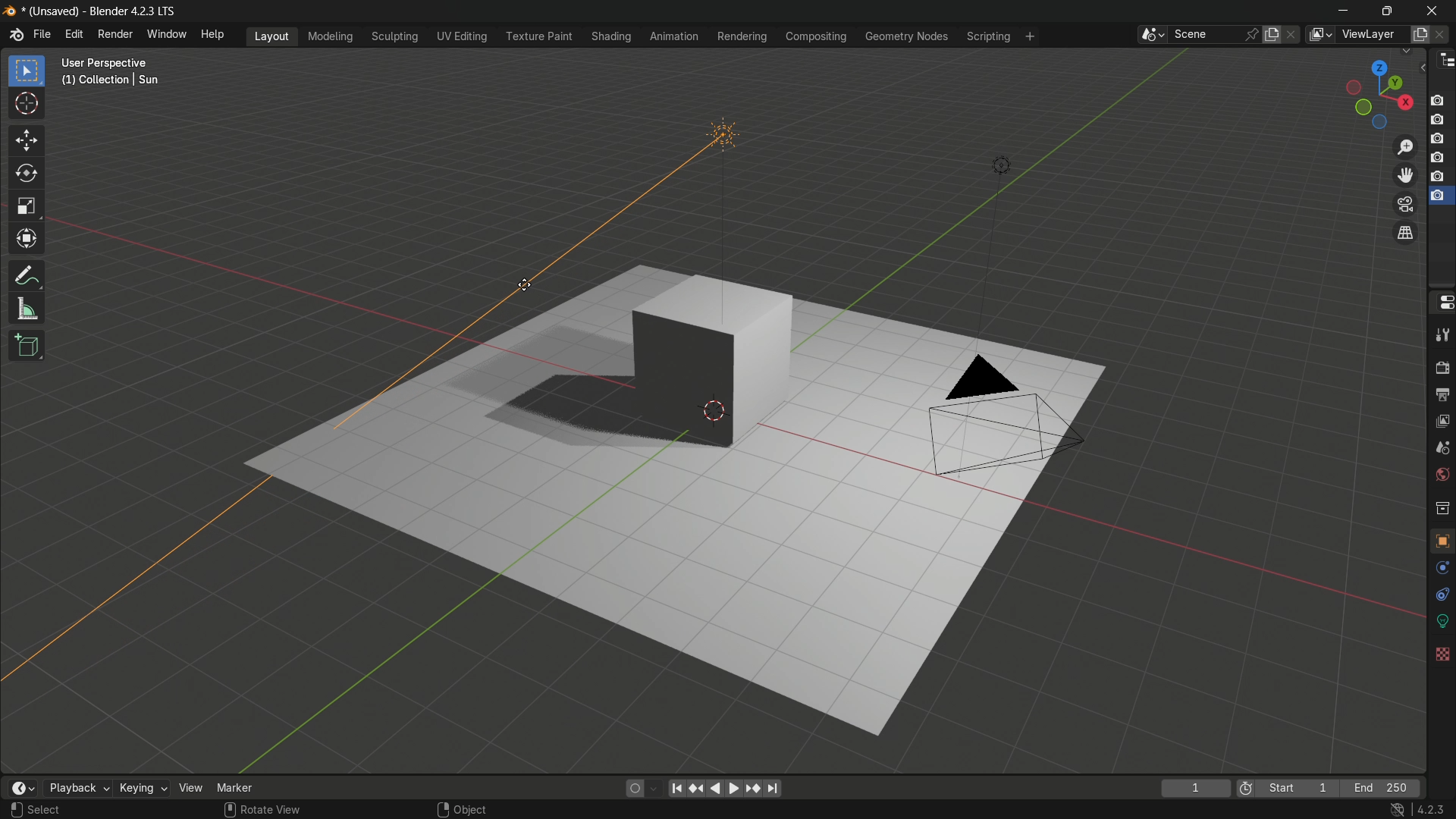 The height and width of the screenshot is (819, 1456). Describe the element at coordinates (26, 208) in the screenshot. I see `scale` at that location.